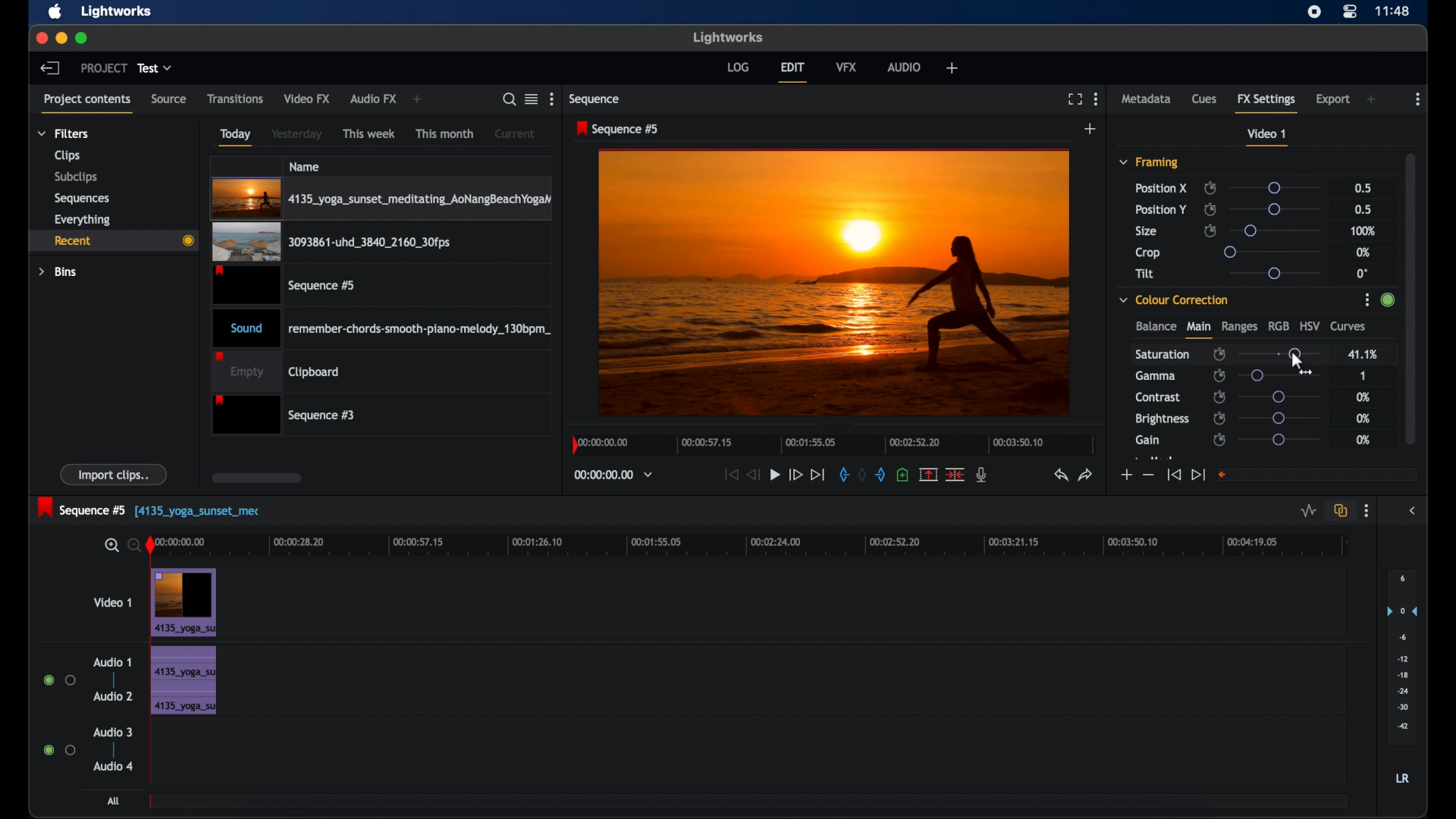  I want to click on jump to end, so click(1198, 474).